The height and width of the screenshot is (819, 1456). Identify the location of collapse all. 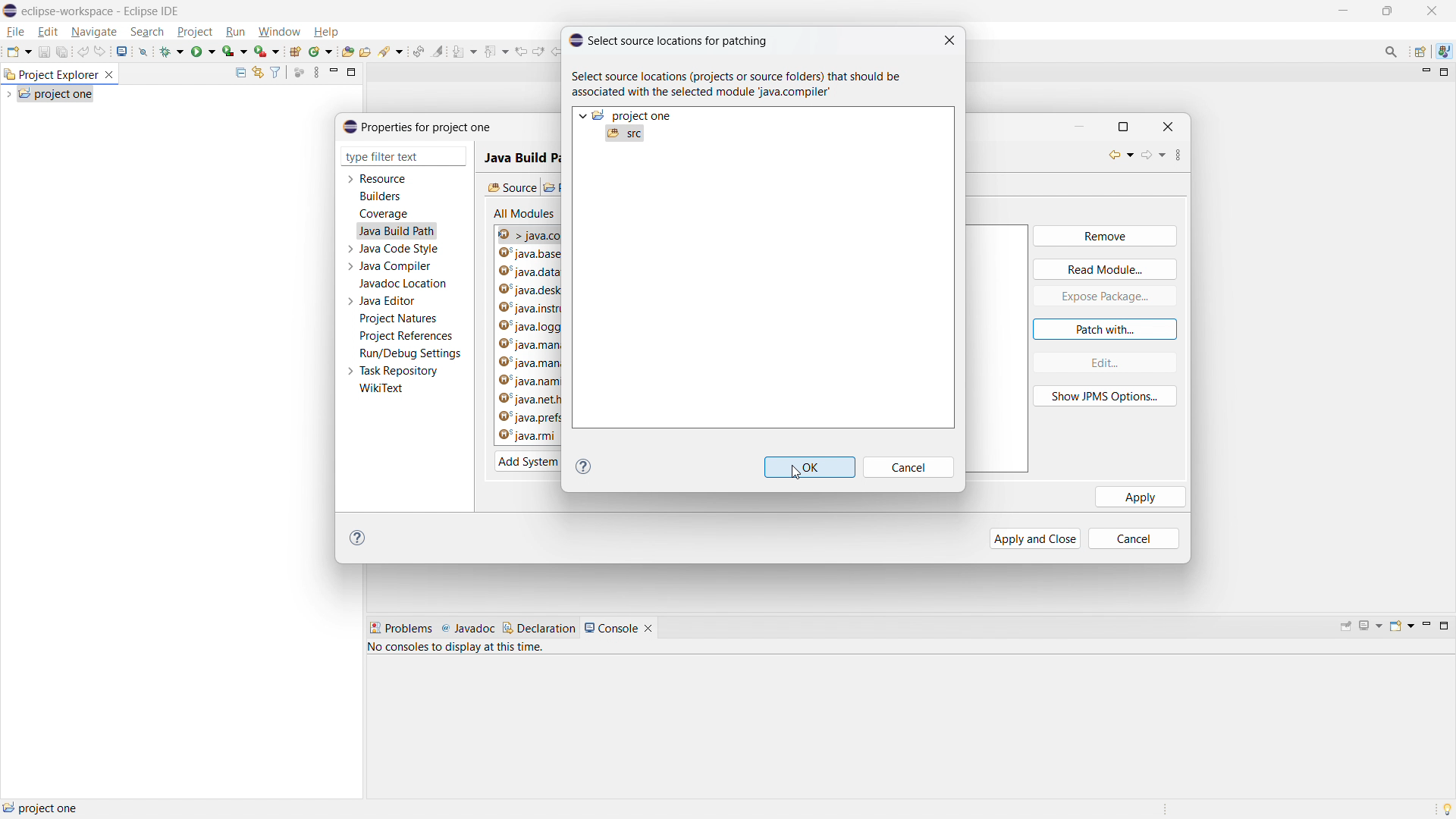
(240, 72).